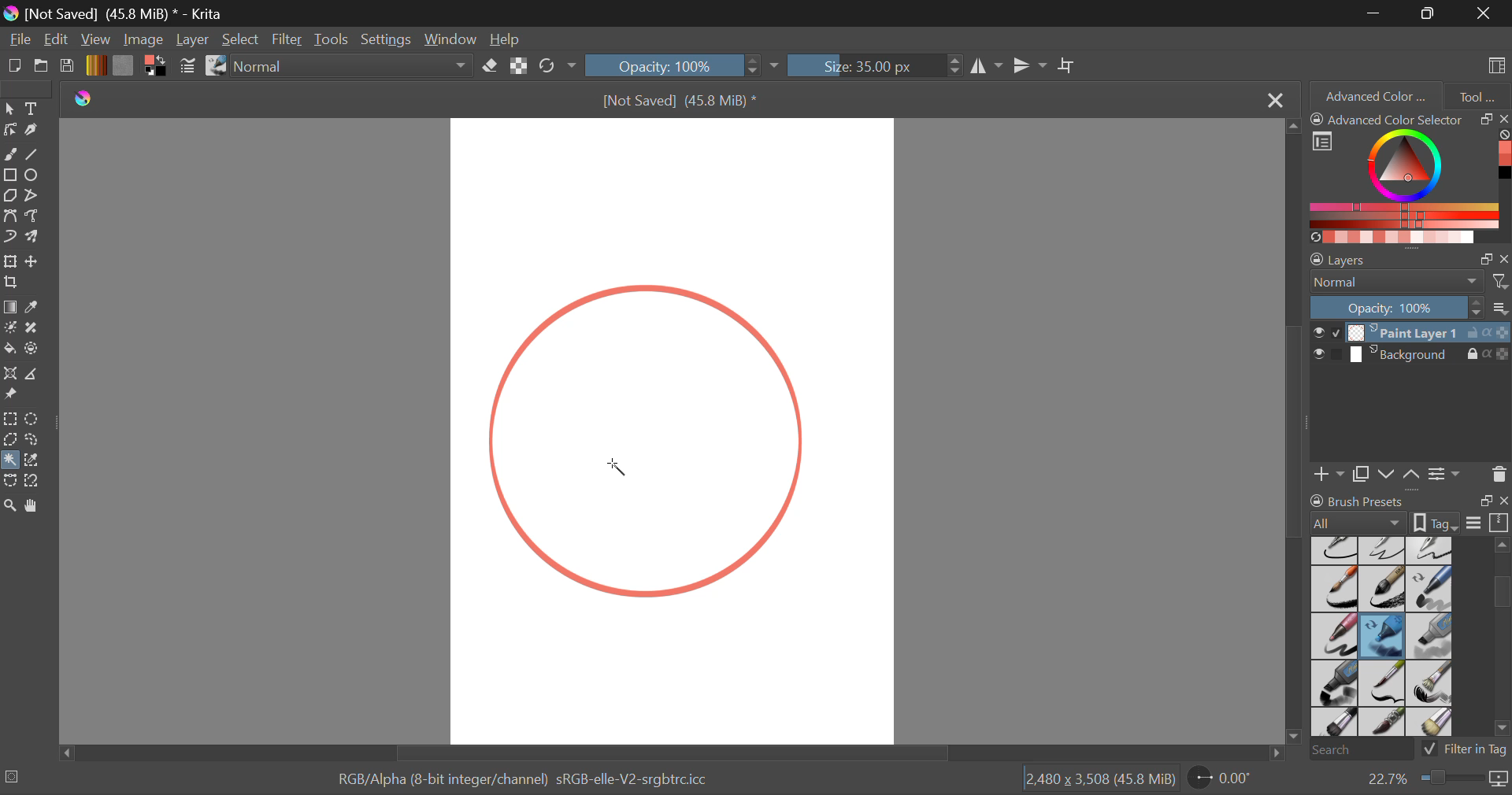  Describe the element at coordinates (35, 130) in the screenshot. I see `Calligraphic Tool` at that location.